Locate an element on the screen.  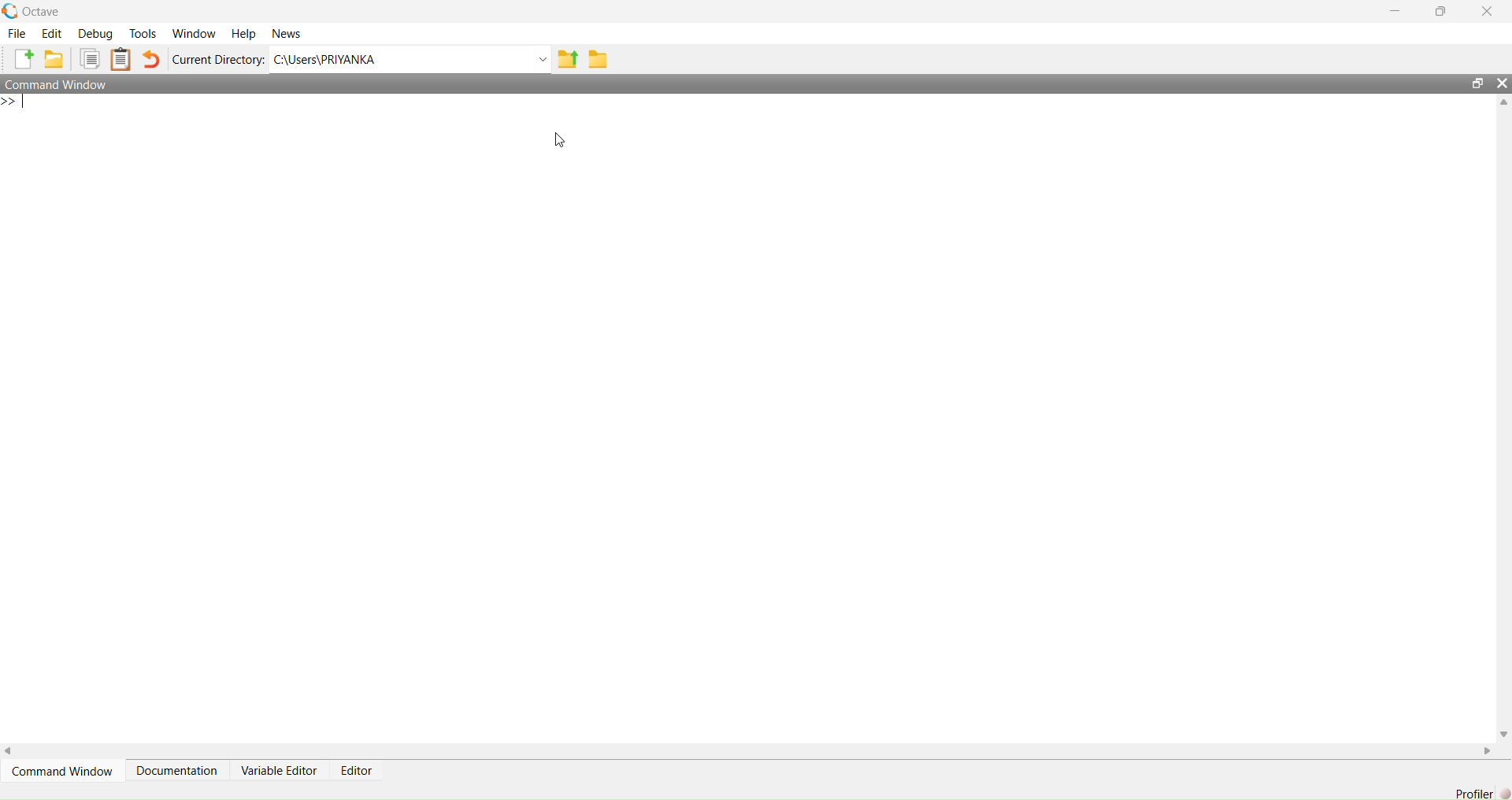
Browse Directions is located at coordinates (598, 59).